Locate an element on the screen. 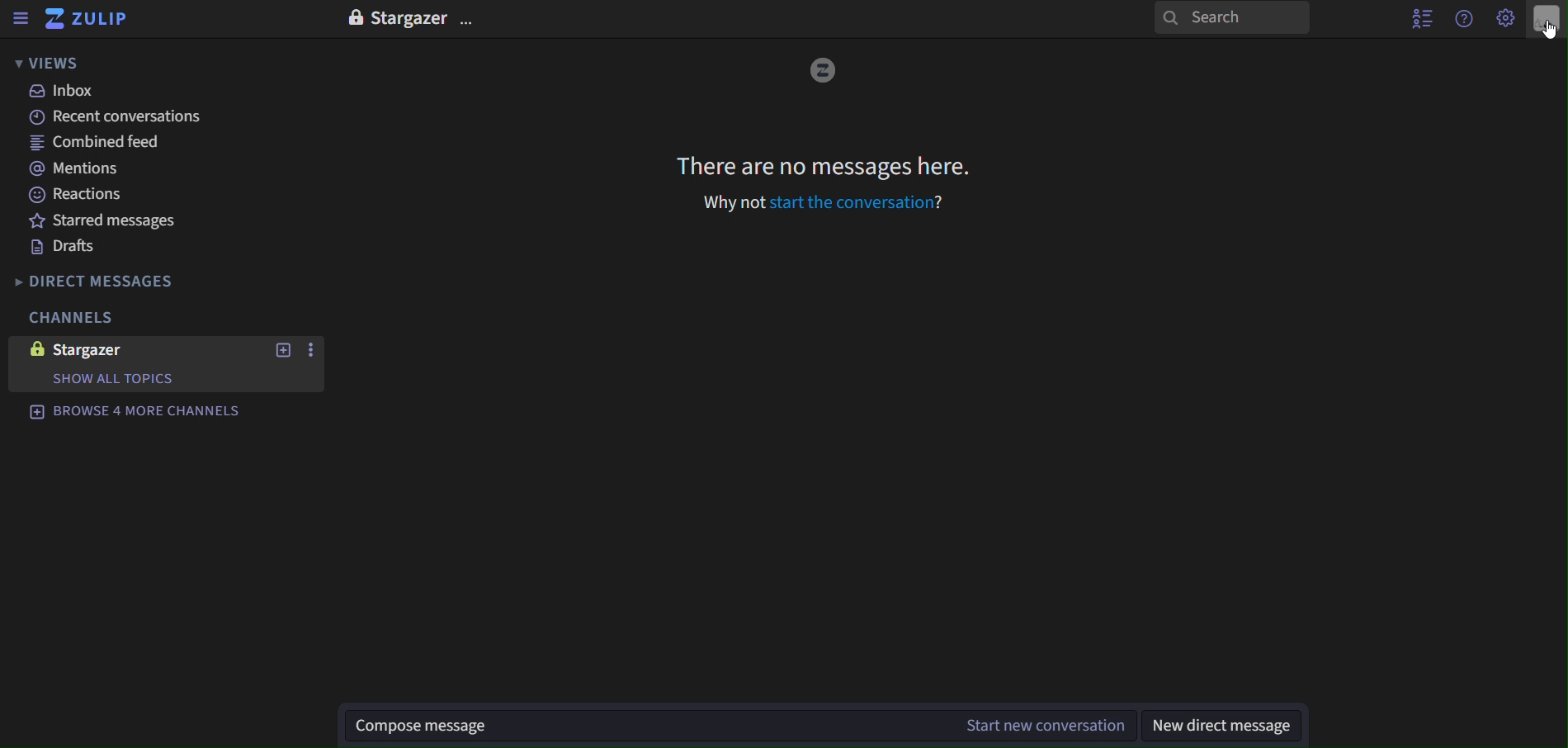 The height and width of the screenshot is (748, 1568). cursor is located at coordinates (1547, 31).